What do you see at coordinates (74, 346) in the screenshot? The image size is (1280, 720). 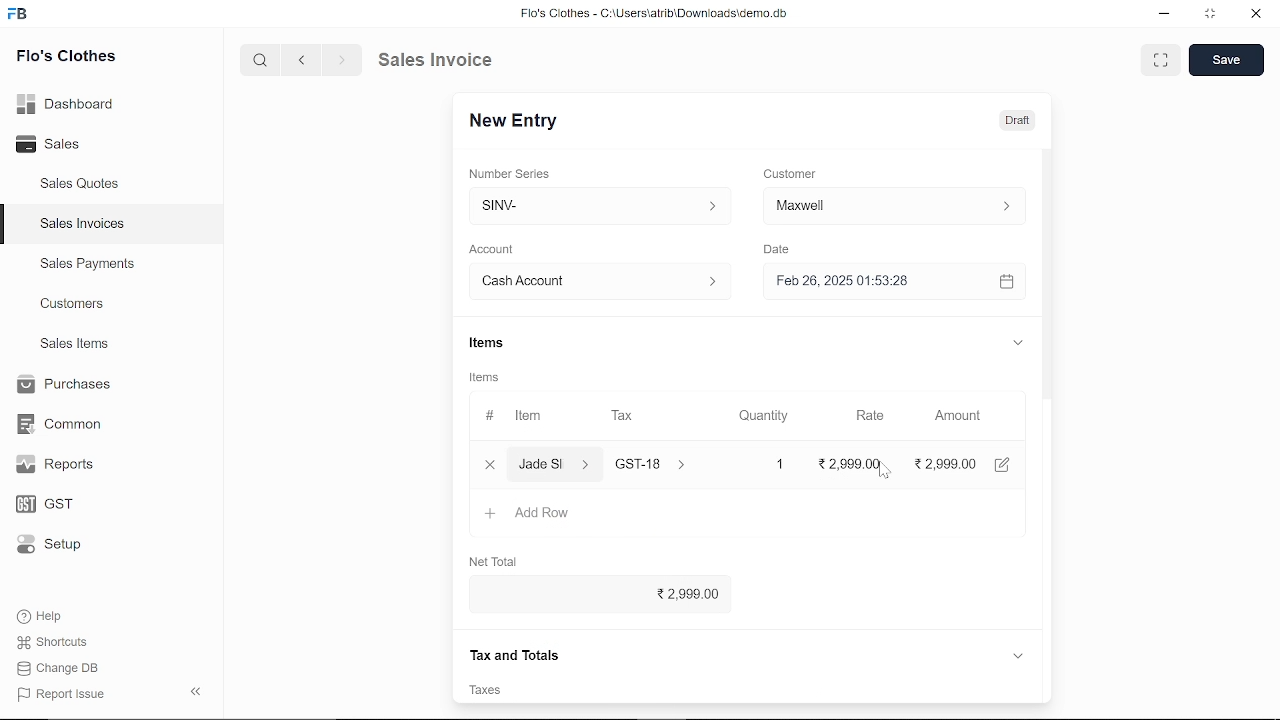 I see `Sales Items` at bounding box center [74, 346].